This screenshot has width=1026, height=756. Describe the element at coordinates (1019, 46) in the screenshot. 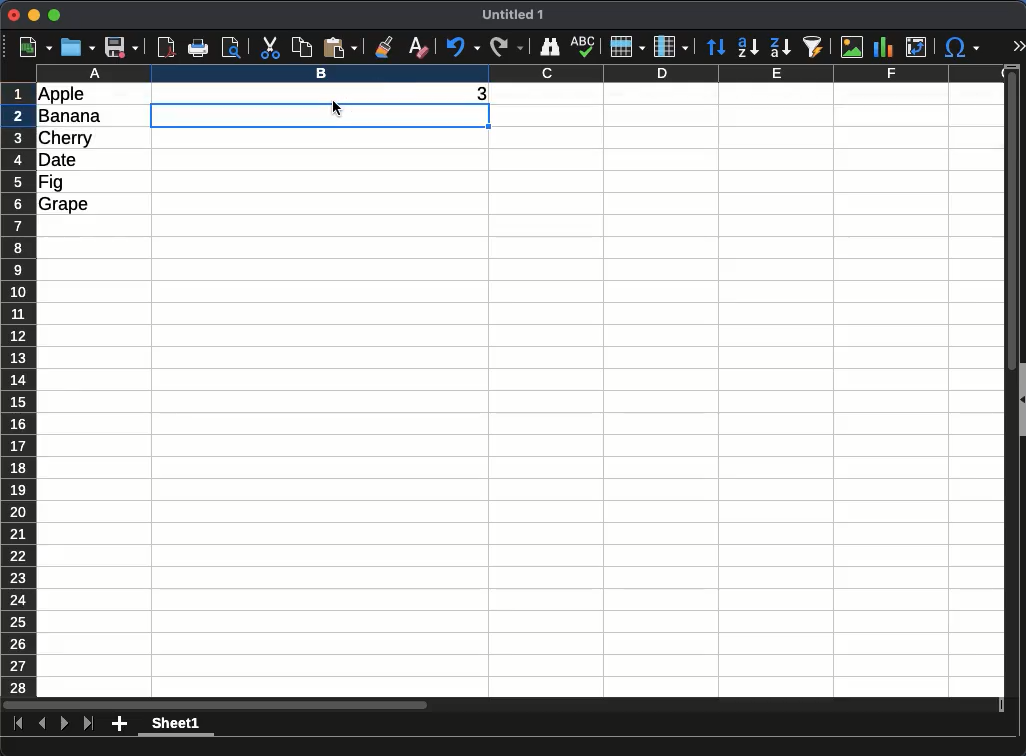

I see `expand` at that location.